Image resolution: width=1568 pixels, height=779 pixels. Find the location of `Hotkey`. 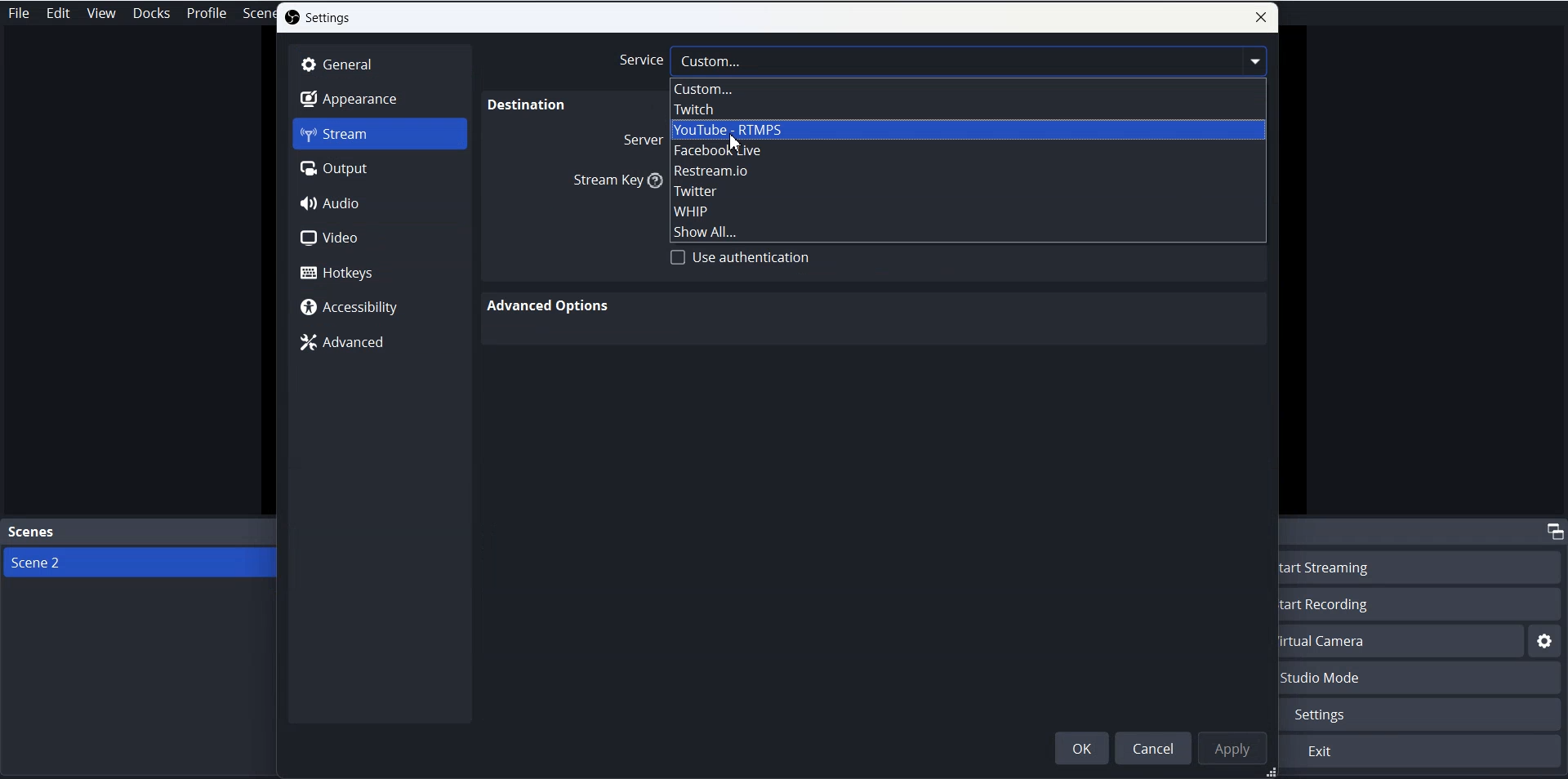

Hotkey is located at coordinates (379, 272).